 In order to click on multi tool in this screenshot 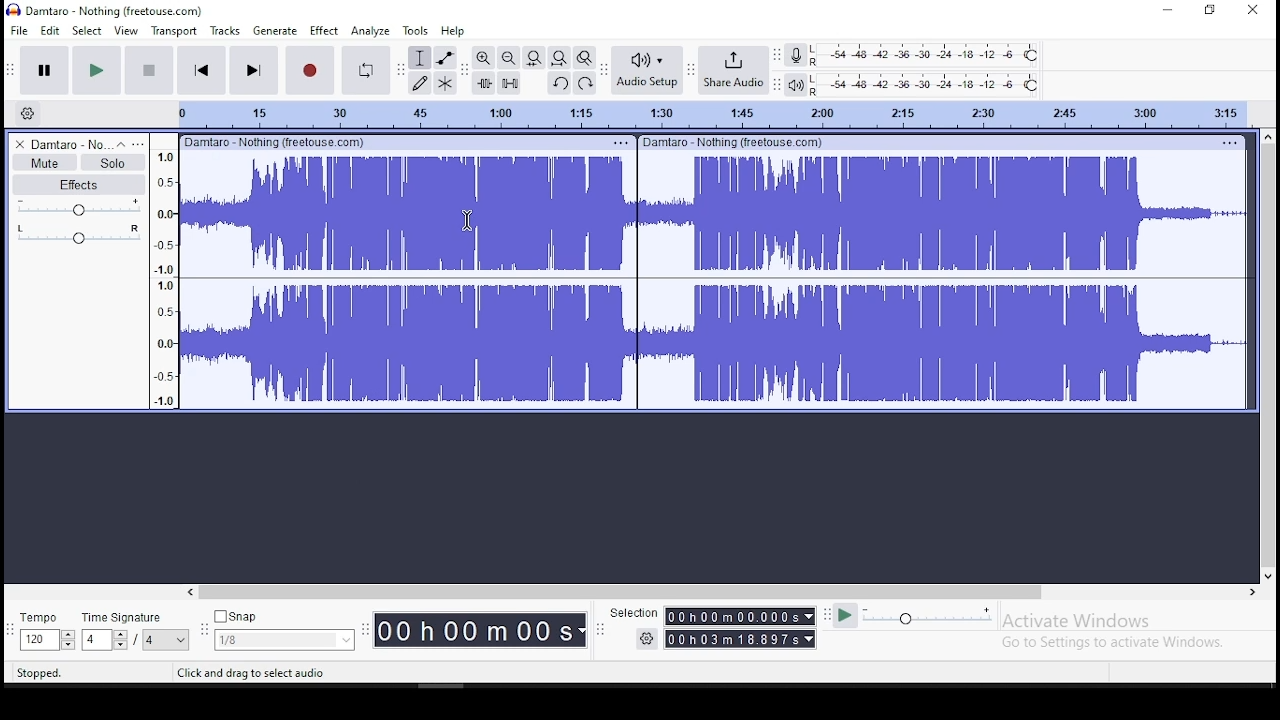, I will do `click(445, 83)`.